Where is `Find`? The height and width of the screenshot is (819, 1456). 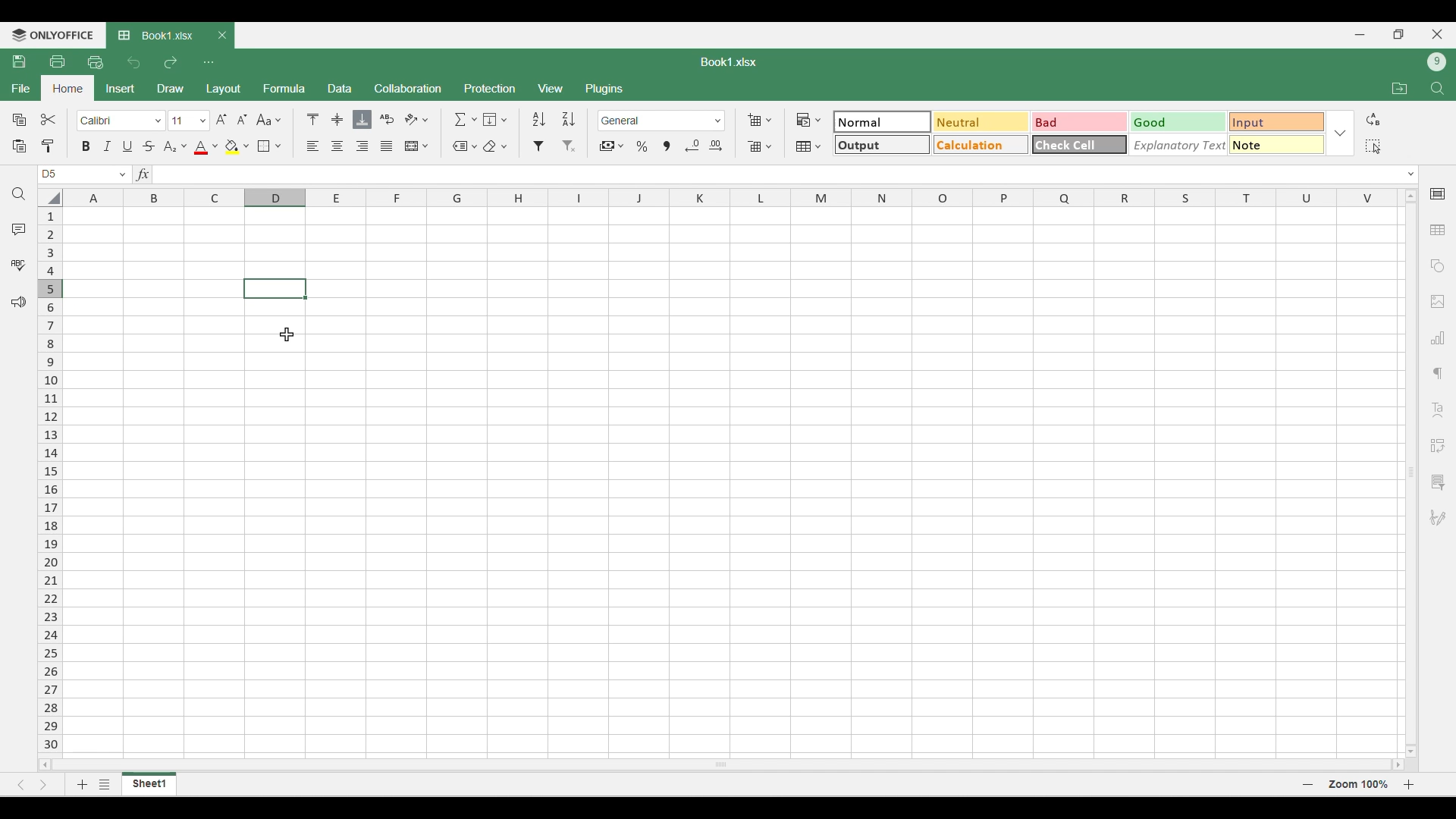 Find is located at coordinates (1439, 89).